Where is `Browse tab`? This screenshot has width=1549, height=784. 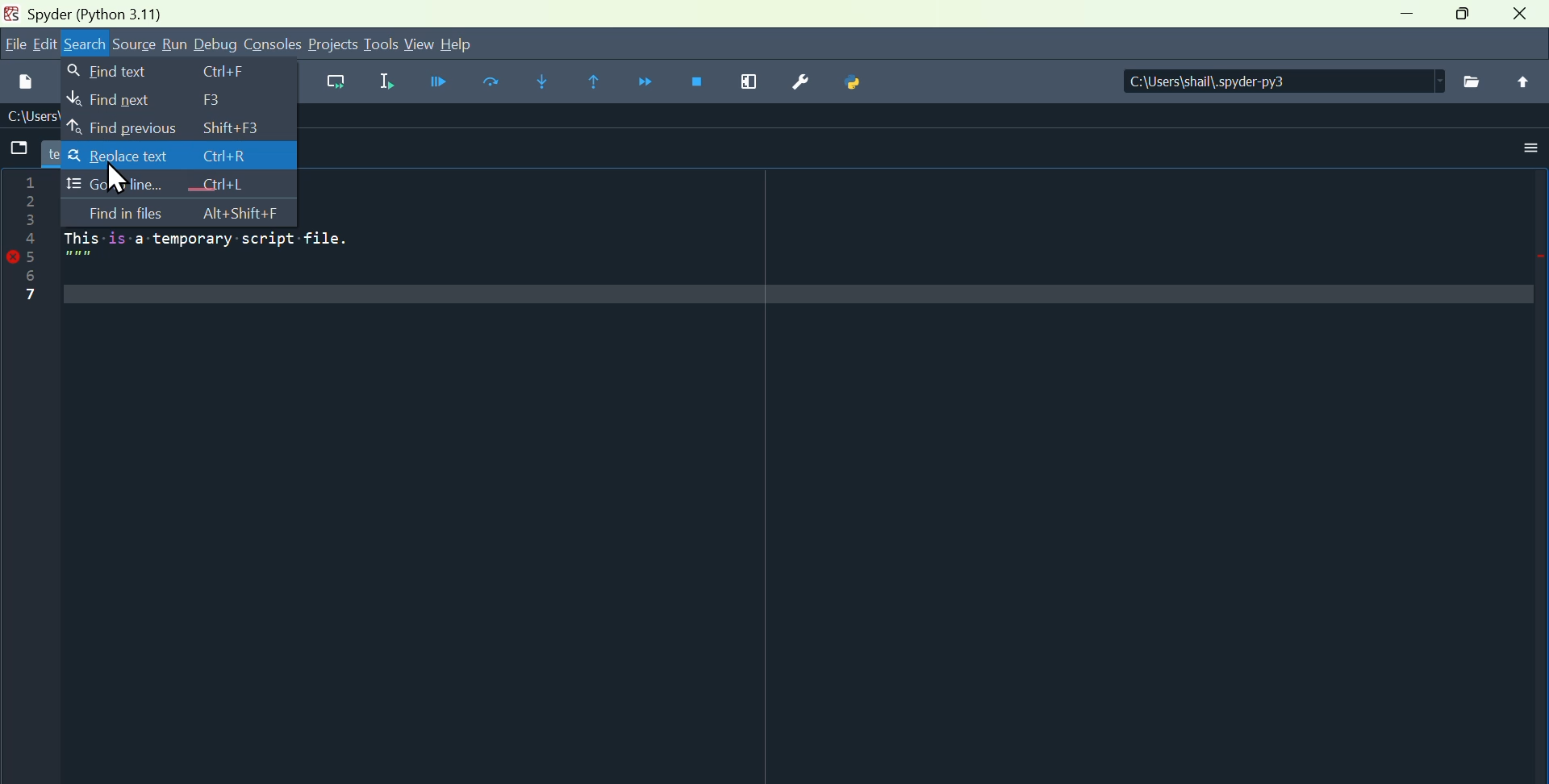
Browse tab is located at coordinates (19, 151).